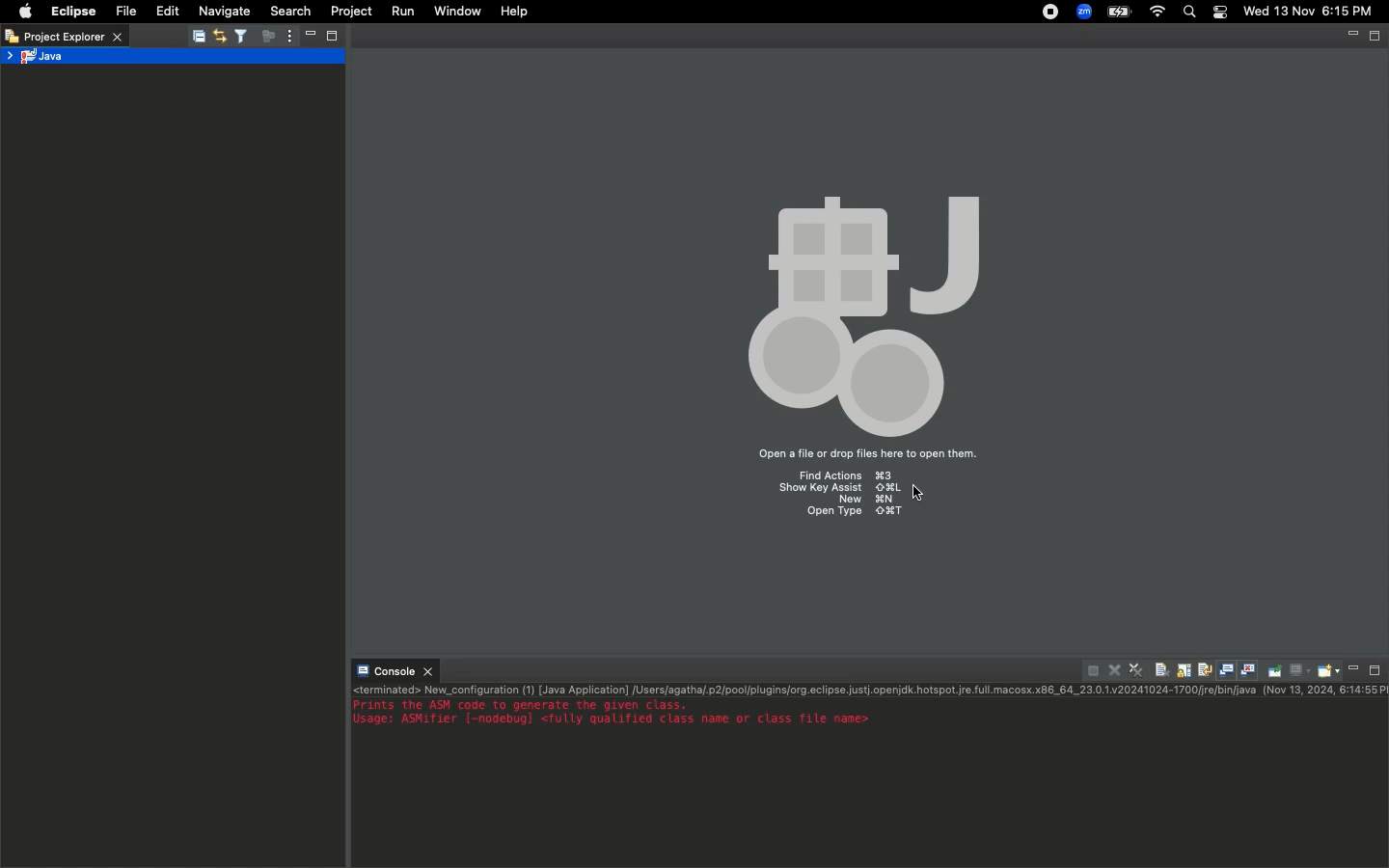 This screenshot has height=868, width=1389. What do you see at coordinates (1330, 674) in the screenshot?
I see `Open console` at bounding box center [1330, 674].